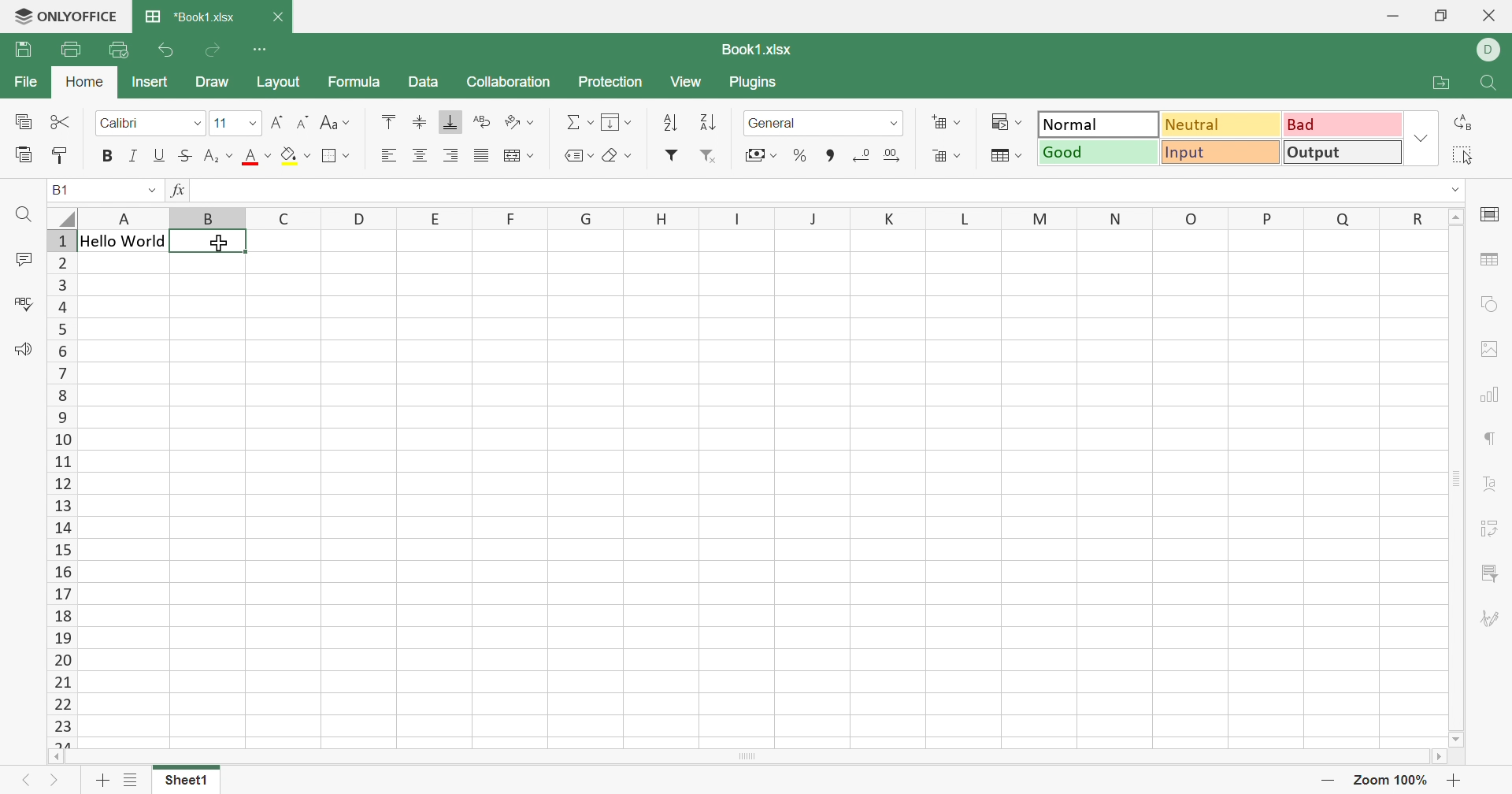 This screenshot has height=794, width=1512. Describe the element at coordinates (480, 157) in the screenshot. I see `Justified` at that location.